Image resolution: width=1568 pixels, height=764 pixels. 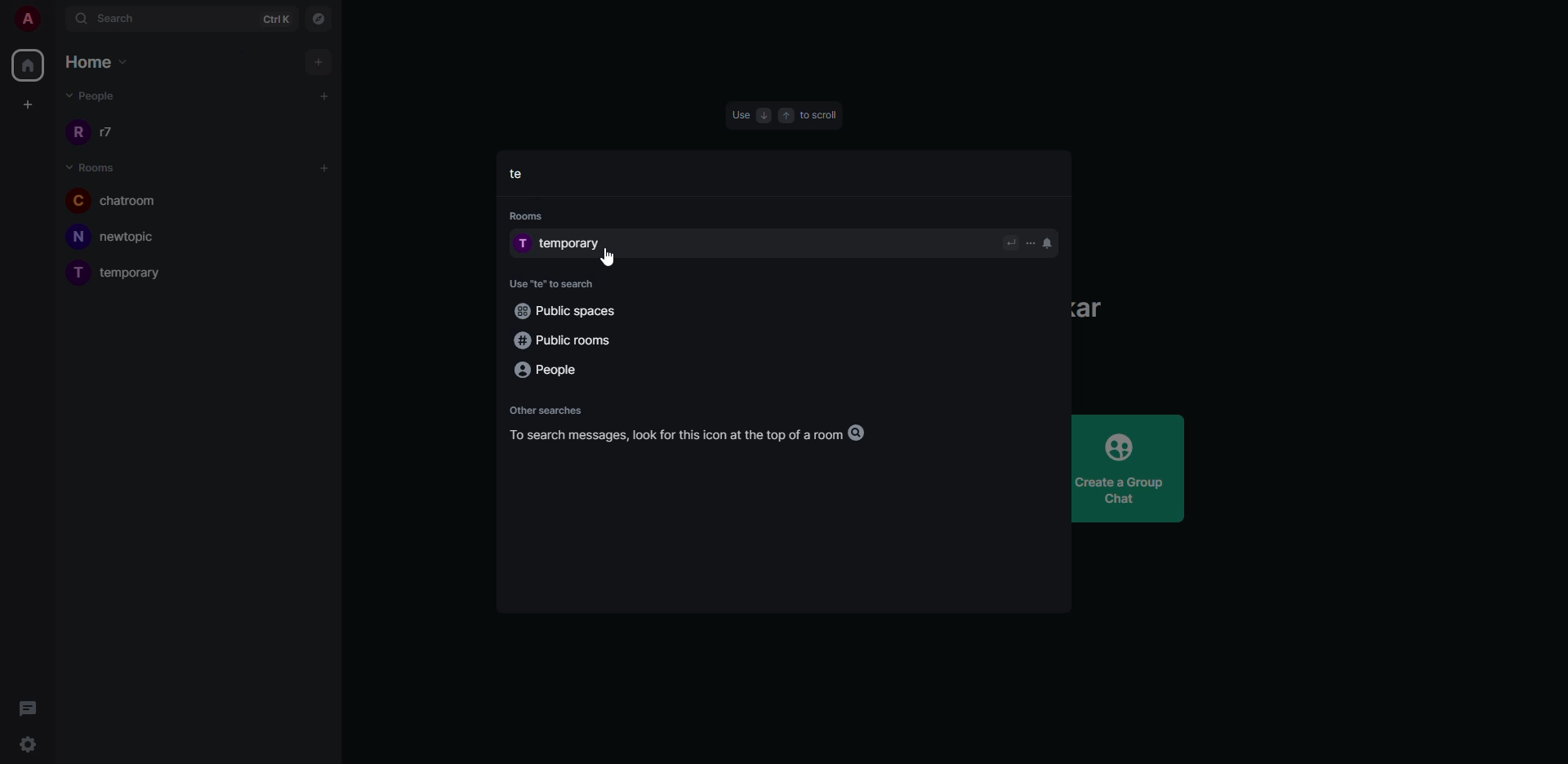 What do you see at coordinates (324, 95) in the screenshot?
I see `add` at bounding box center [324, 95].